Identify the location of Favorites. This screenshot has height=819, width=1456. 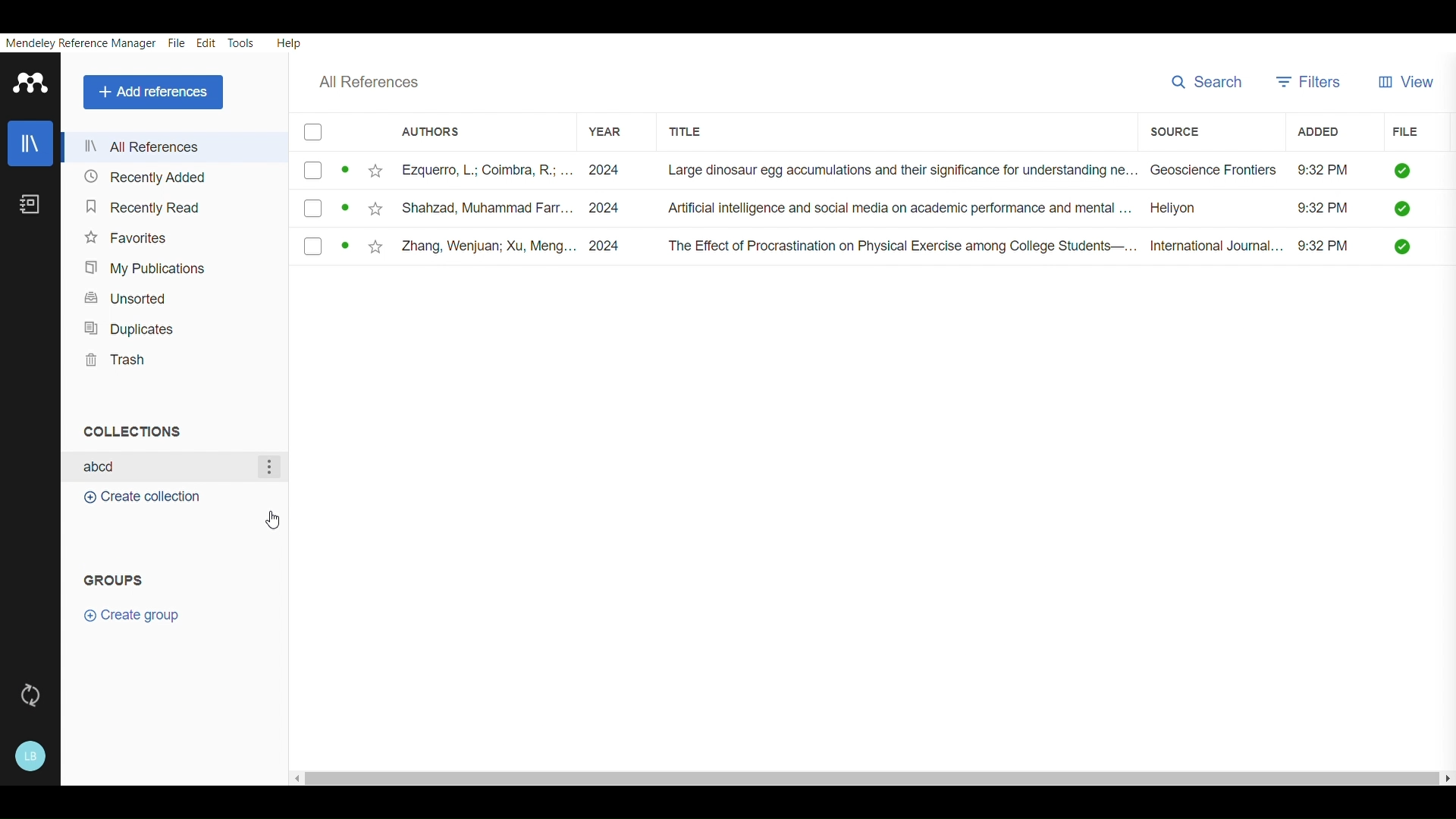
(130, 234).